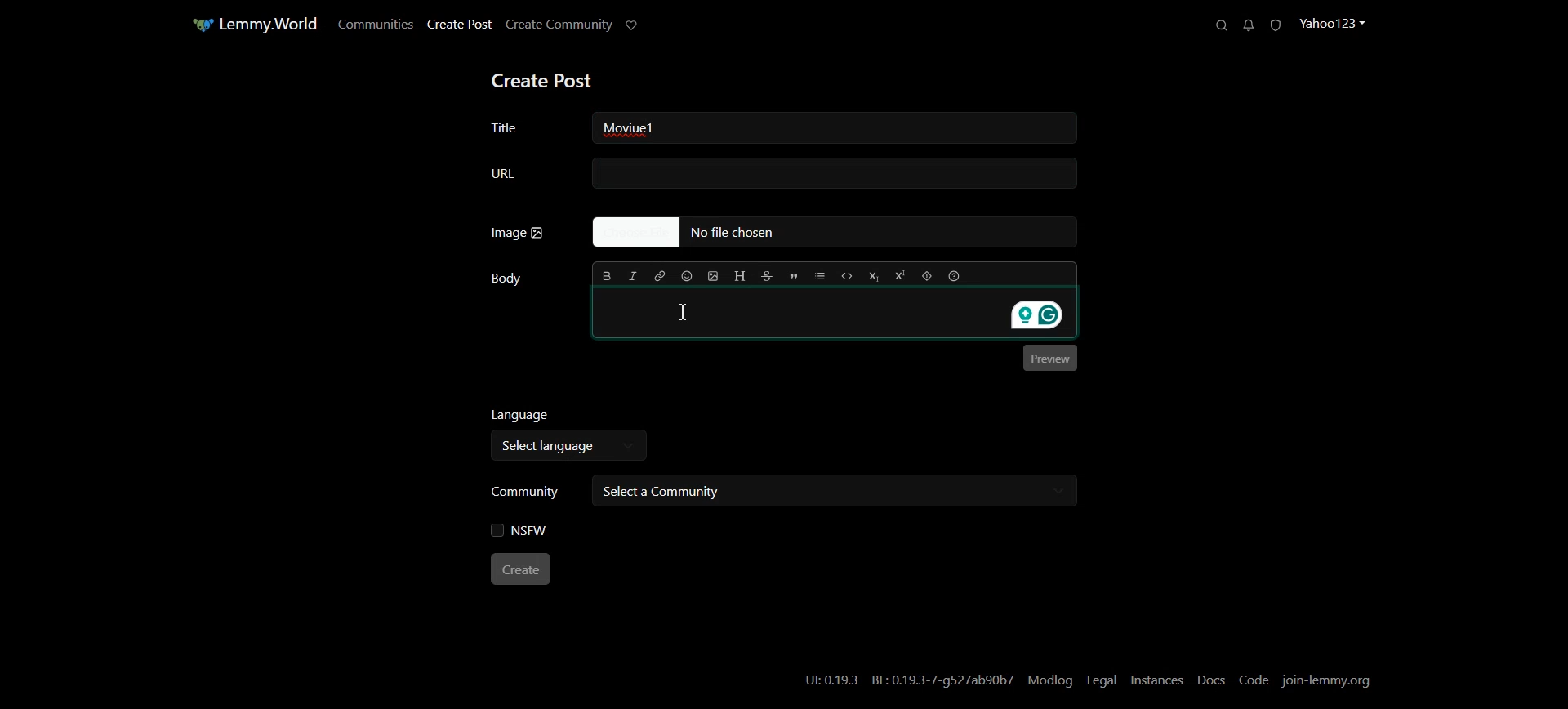 The height and width of the screenshot is (709, 1568). I want to click on Create Post, so click(541, 82).